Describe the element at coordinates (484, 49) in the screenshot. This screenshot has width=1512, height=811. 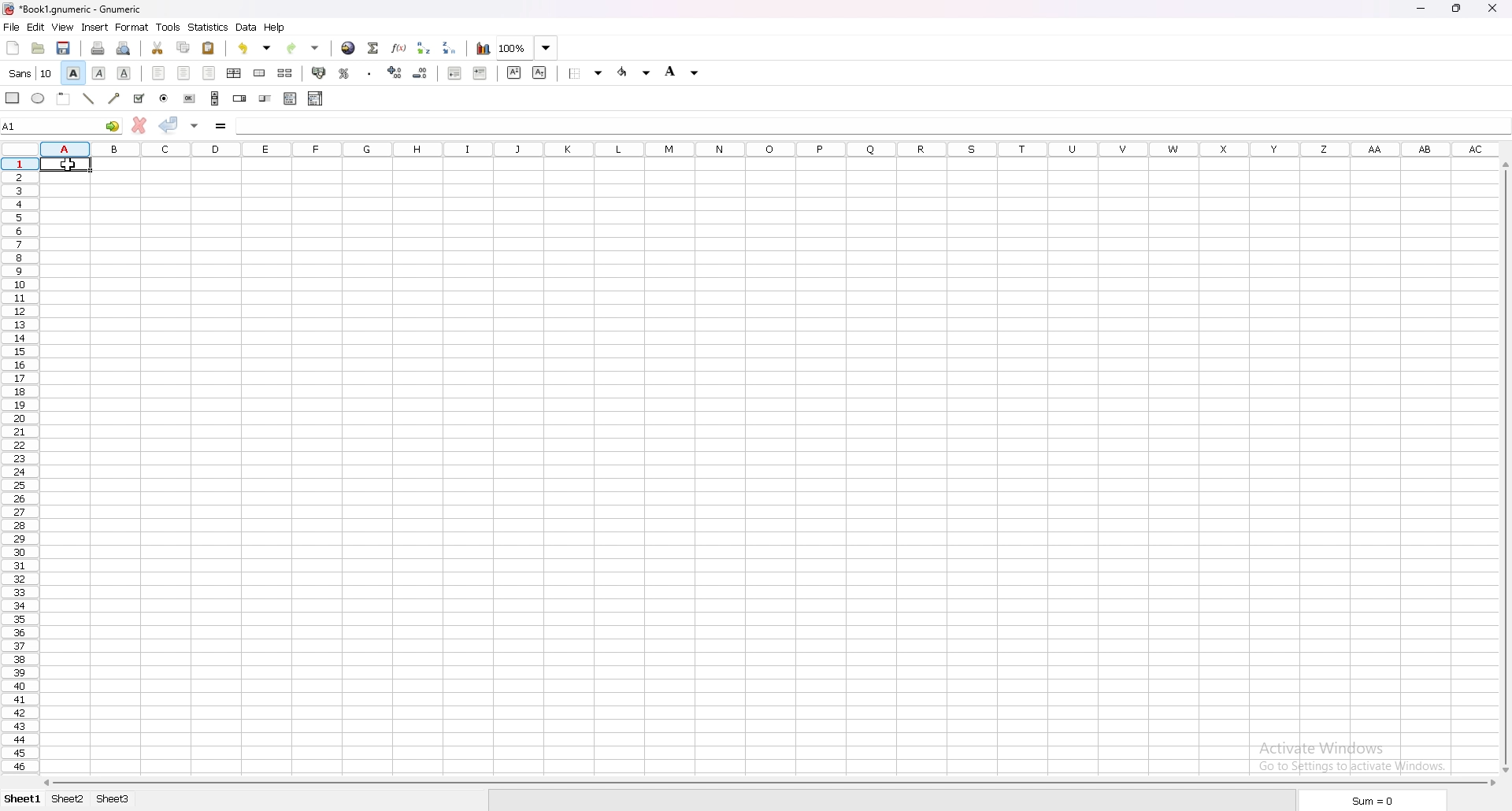
I see `chart` at that location.